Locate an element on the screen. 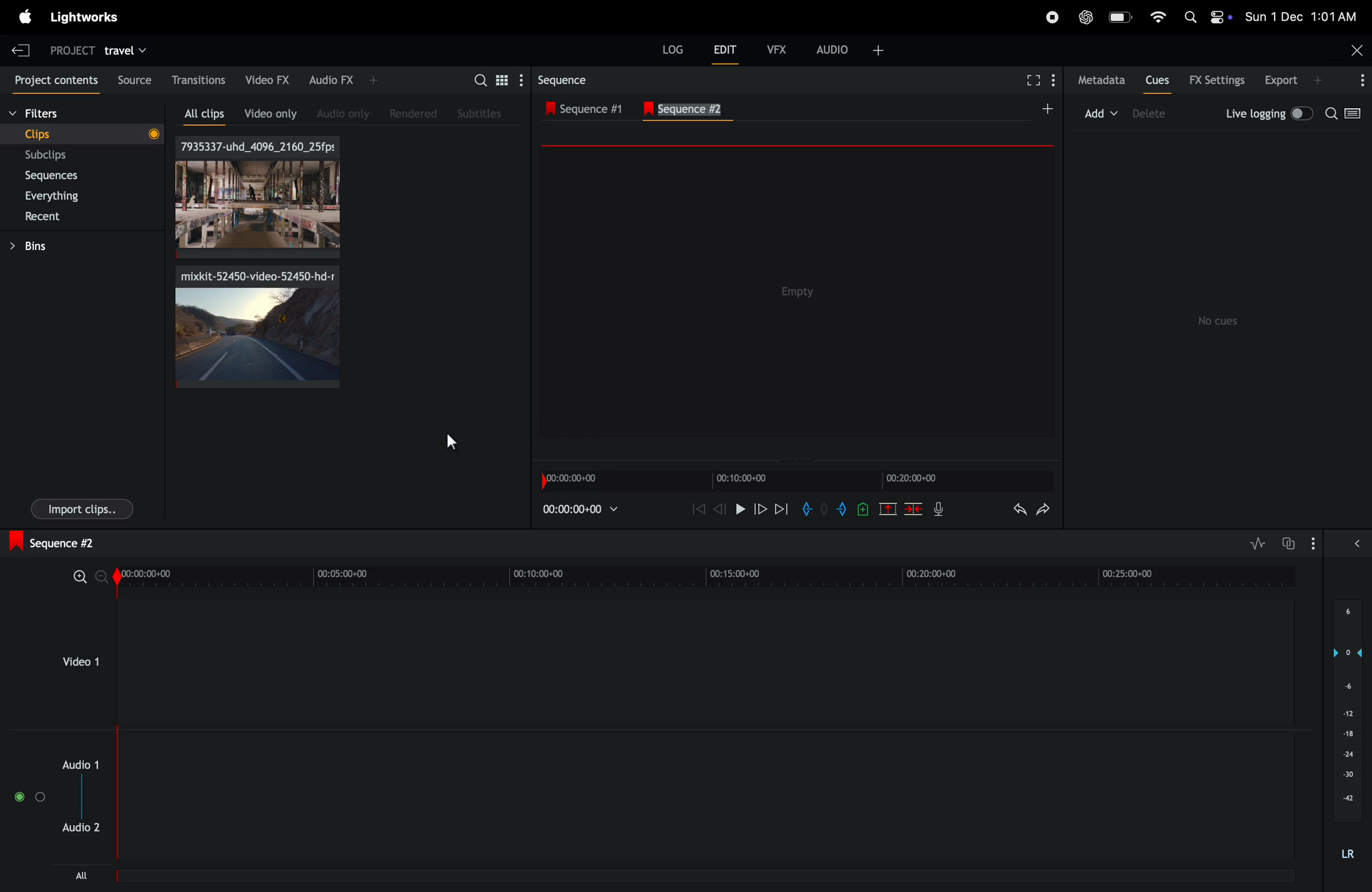 The image size is (1372, 892). add in is located at coordinates (810, 511).